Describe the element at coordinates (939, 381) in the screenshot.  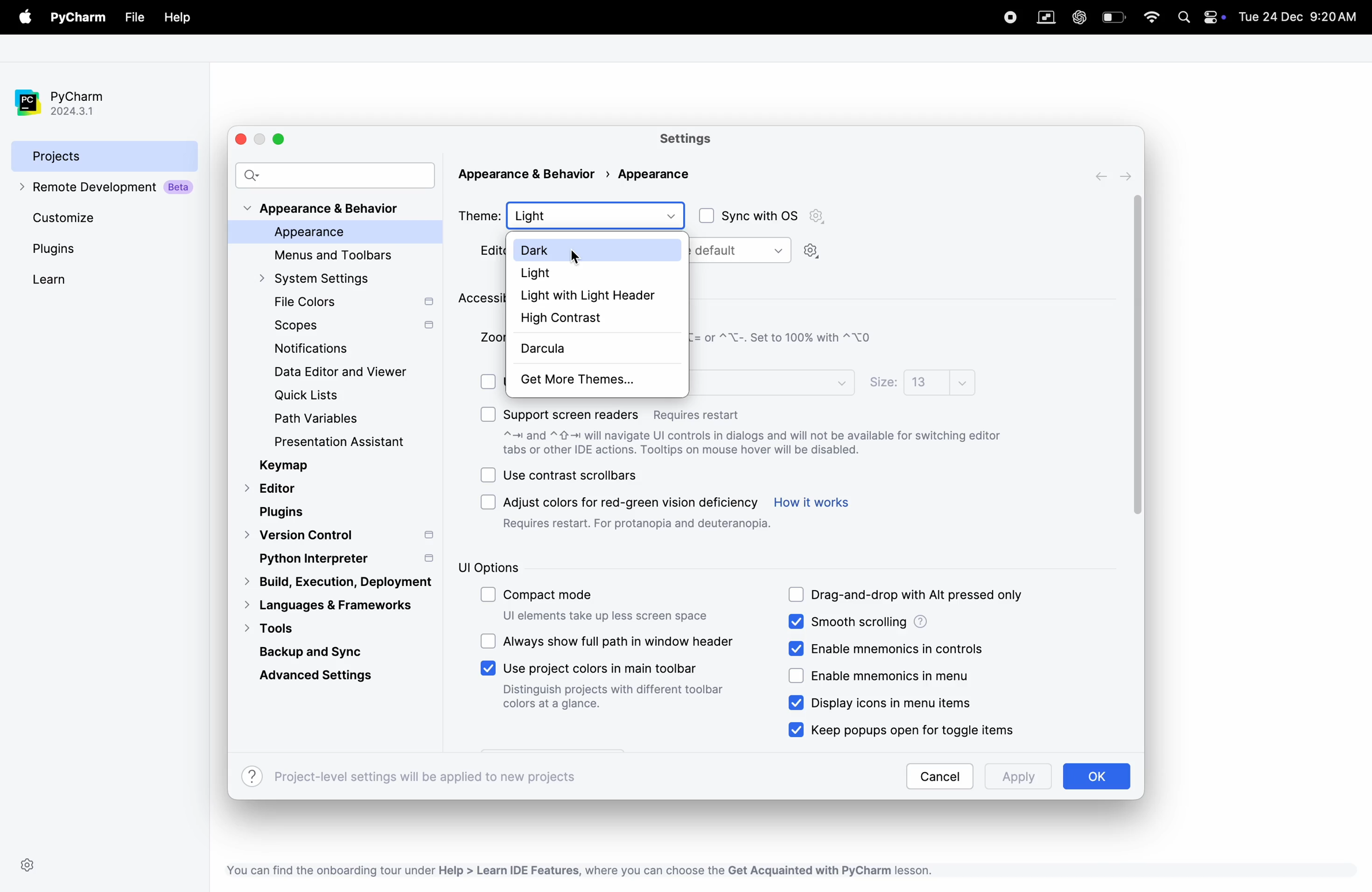
I see `13` at that location.